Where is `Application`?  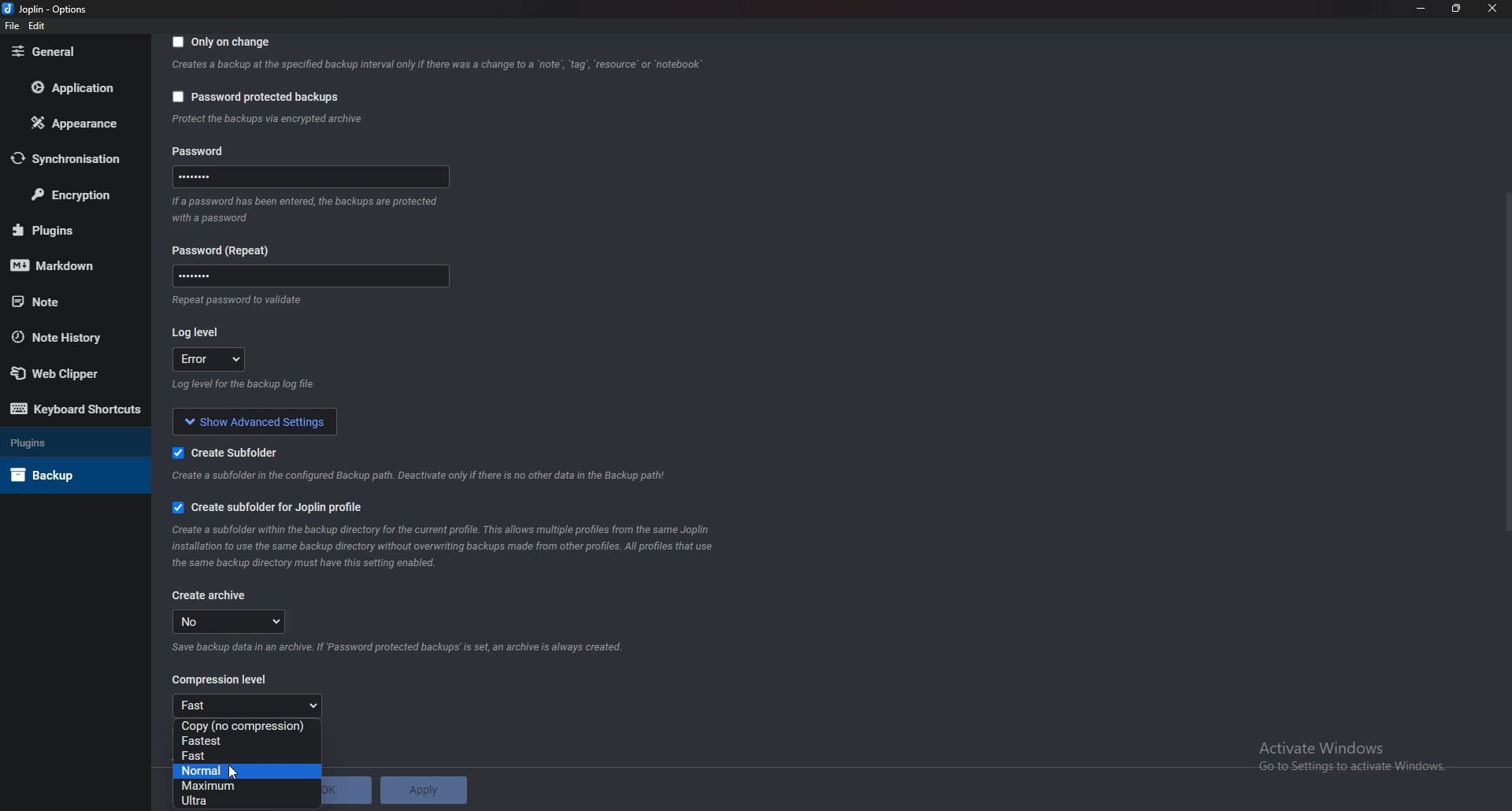 Application is located at coordinates (69, 87).